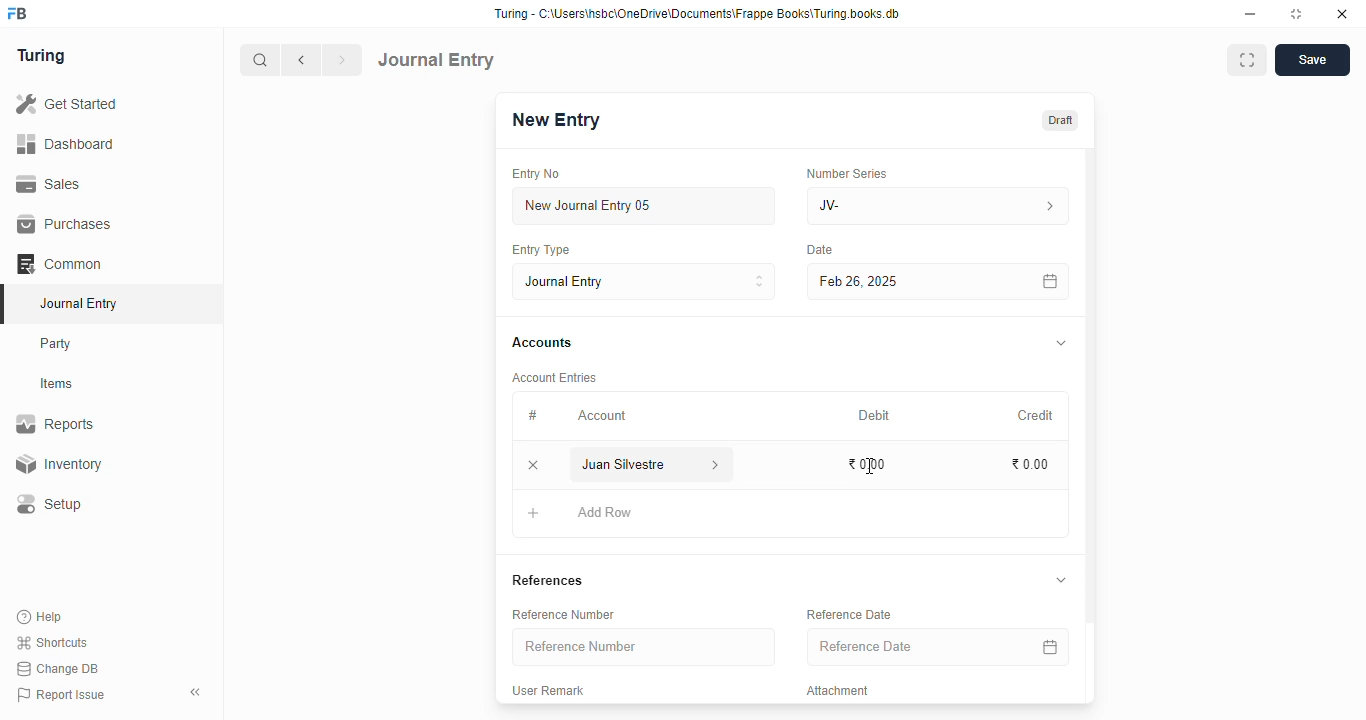  I want to click on help, so click(41, 616).